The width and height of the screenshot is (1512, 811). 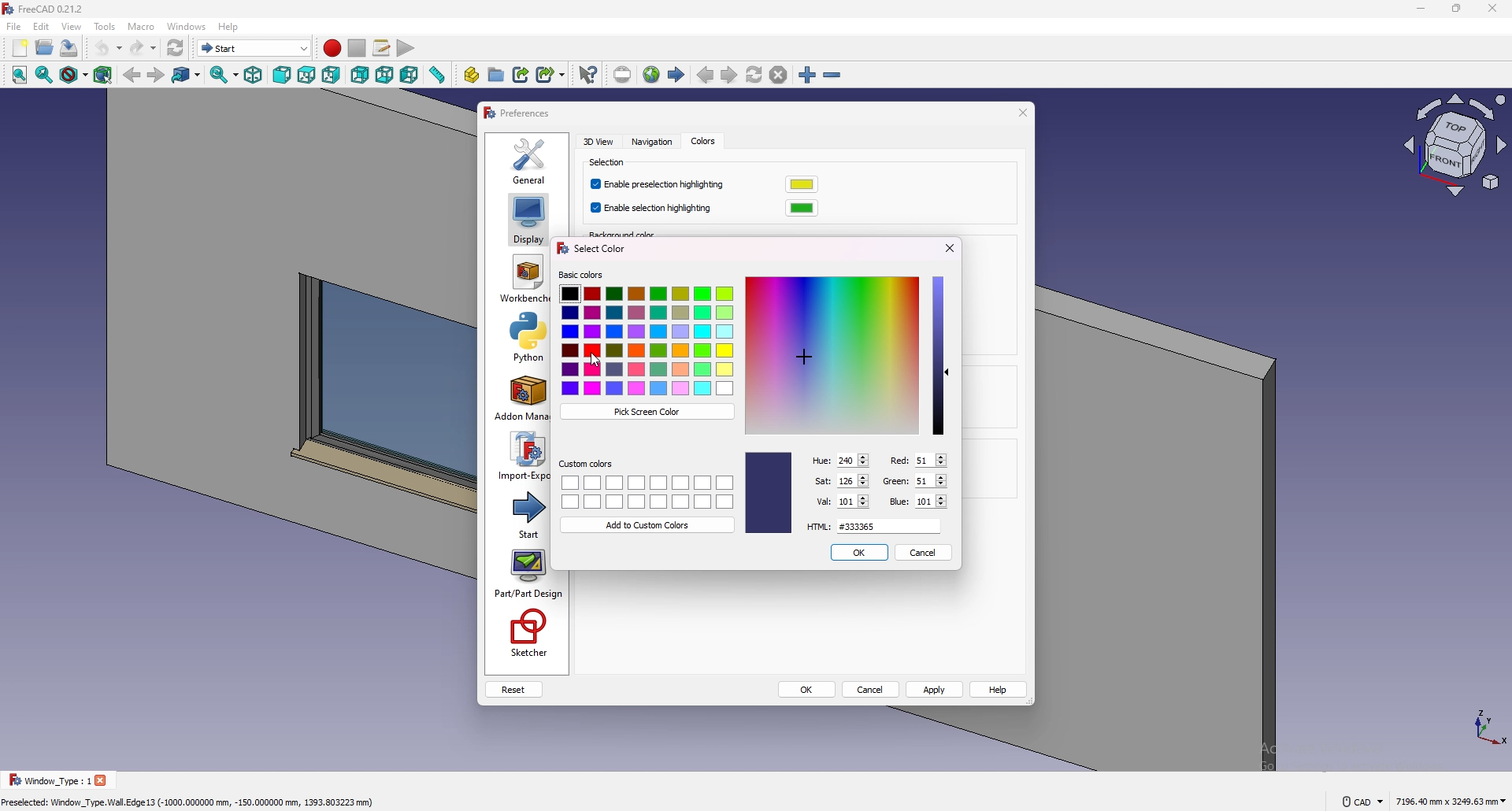 What do you see at coordinates (254, 48) in the screenshot?
I see `switch between workbenches` at bounding box center [254, 48].